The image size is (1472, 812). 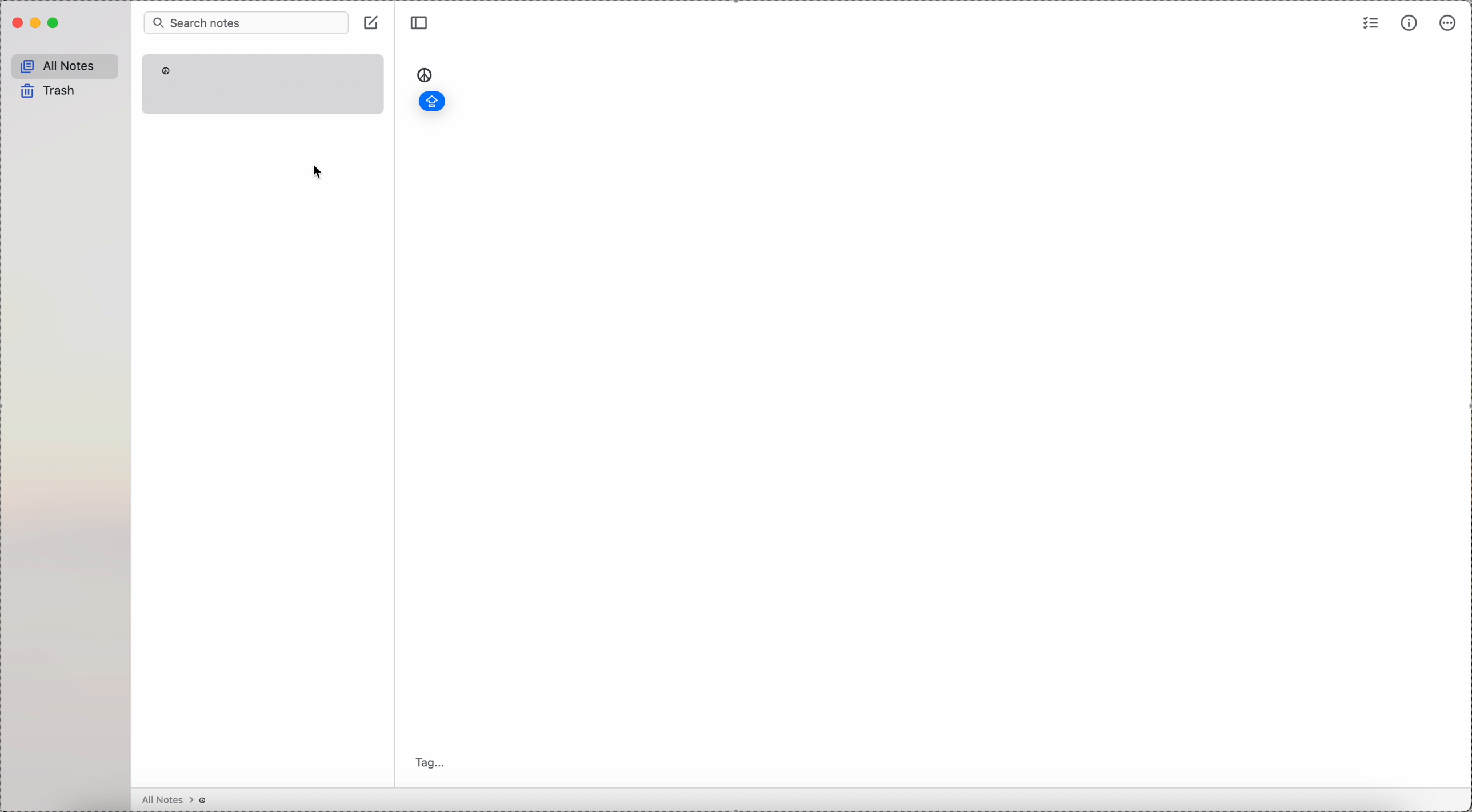 What do you see at coordinates (425, 74) in the screenshot?
I see `peace symbol` at bounding box center [425, 74].